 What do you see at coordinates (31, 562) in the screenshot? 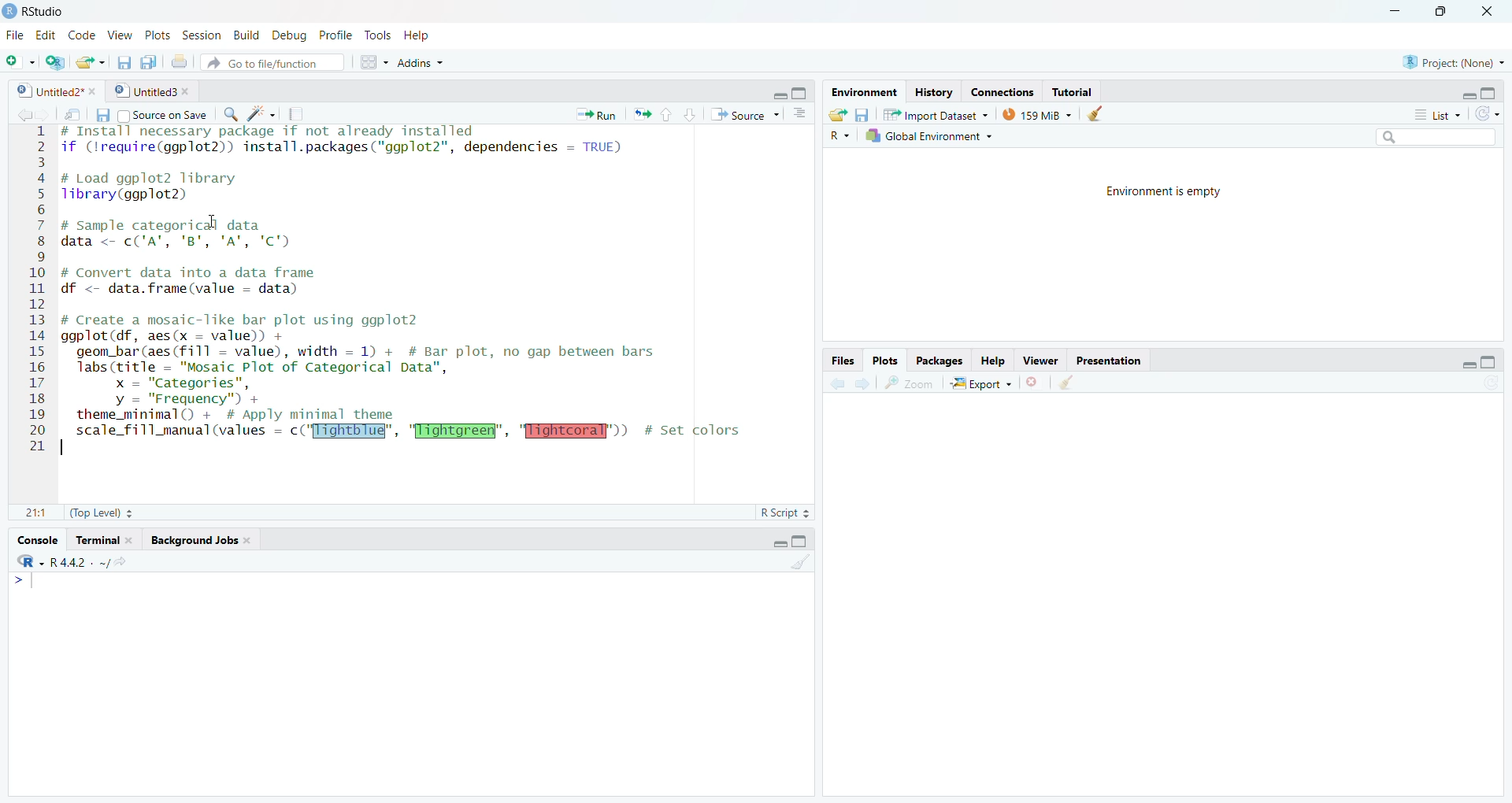
I see `R` at bounding box center [31, 562].